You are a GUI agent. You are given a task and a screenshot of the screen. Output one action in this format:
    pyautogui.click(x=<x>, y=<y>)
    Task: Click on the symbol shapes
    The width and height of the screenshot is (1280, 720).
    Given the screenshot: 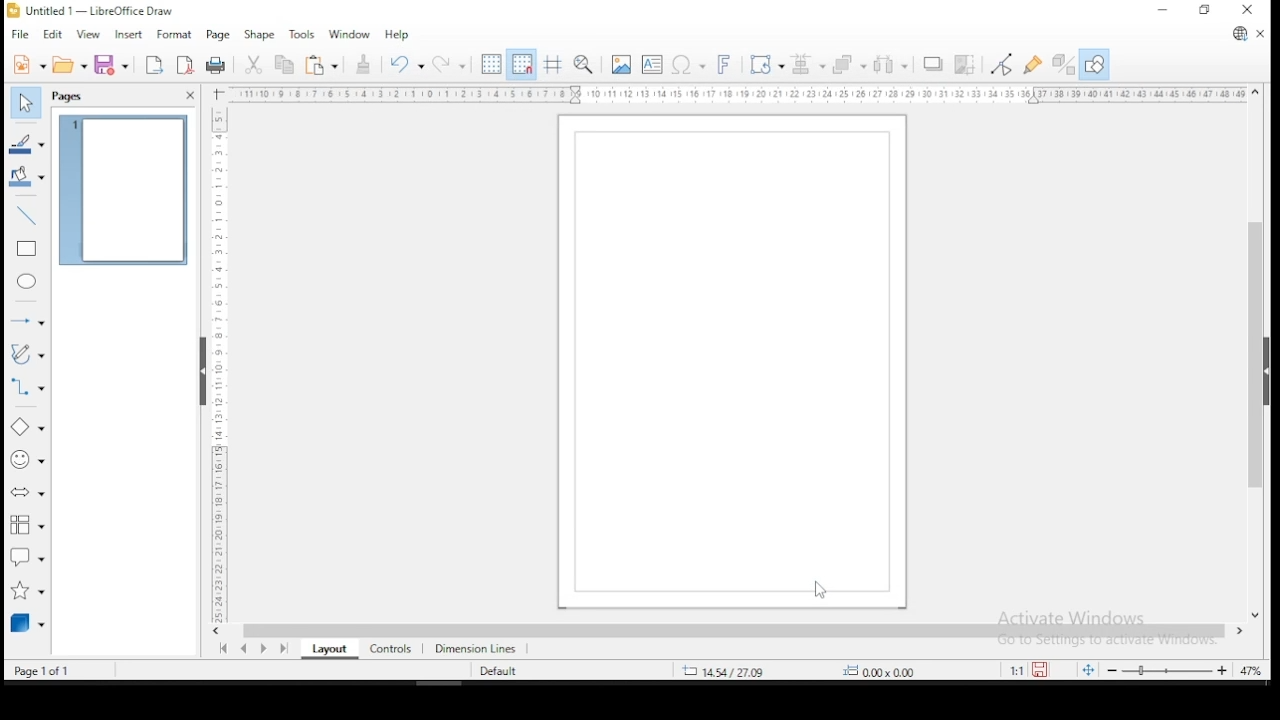 What is the action you would take?
    pyautogui.click(x=25, y=465)
    